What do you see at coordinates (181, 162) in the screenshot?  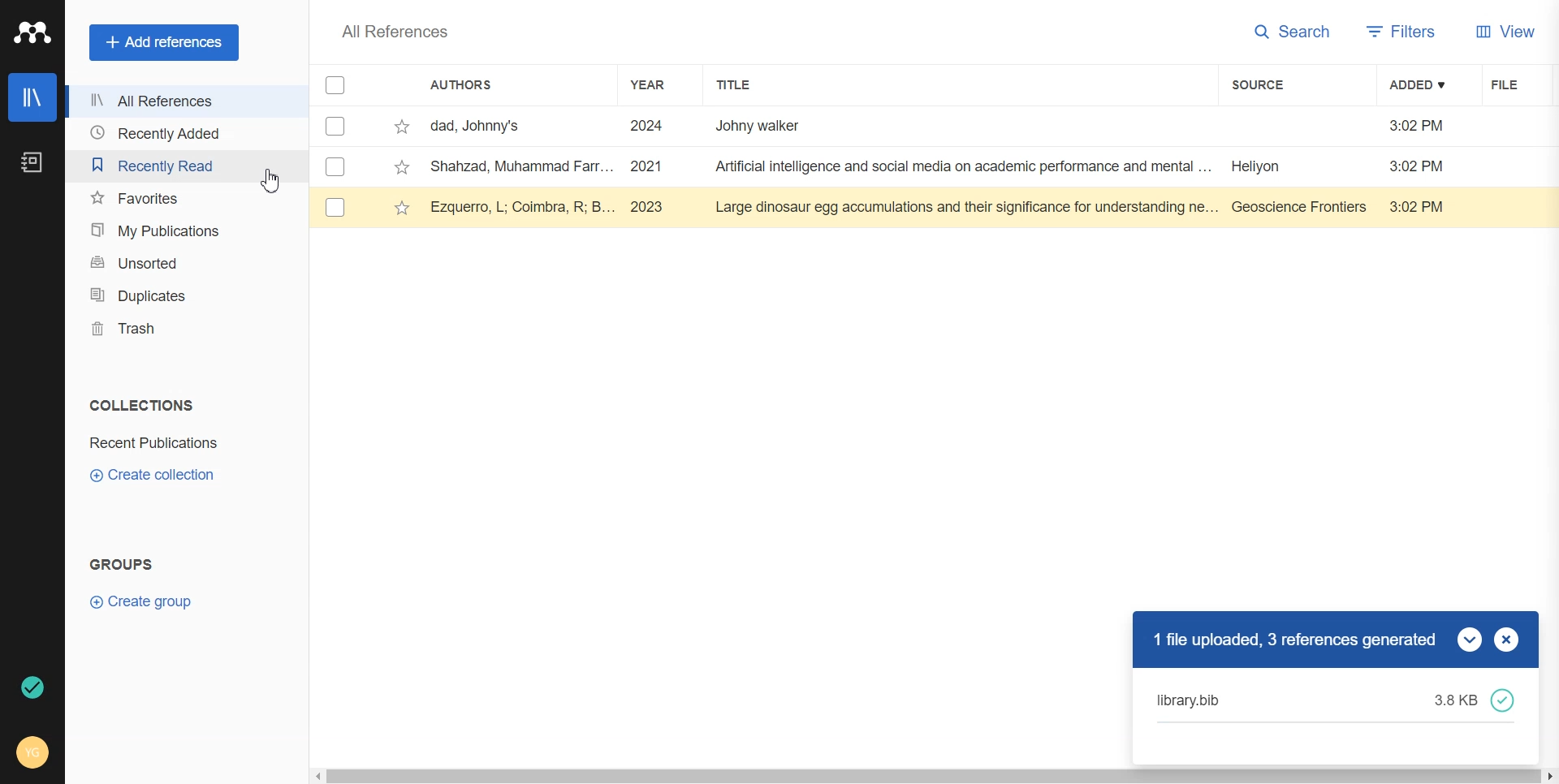 I see `Recently Read` at bounding box center [181, 162].